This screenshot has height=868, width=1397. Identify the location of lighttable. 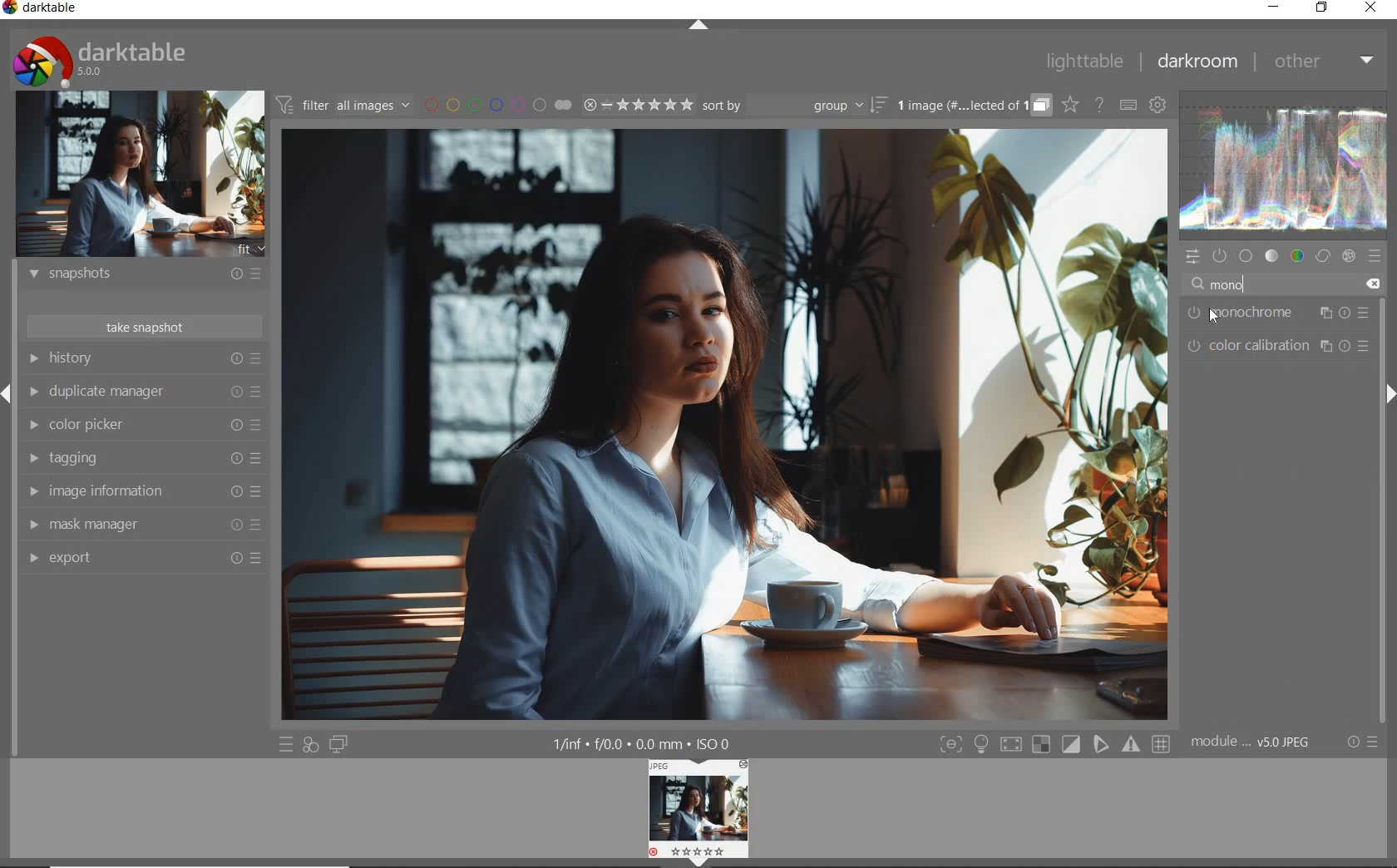
(1084, 62).